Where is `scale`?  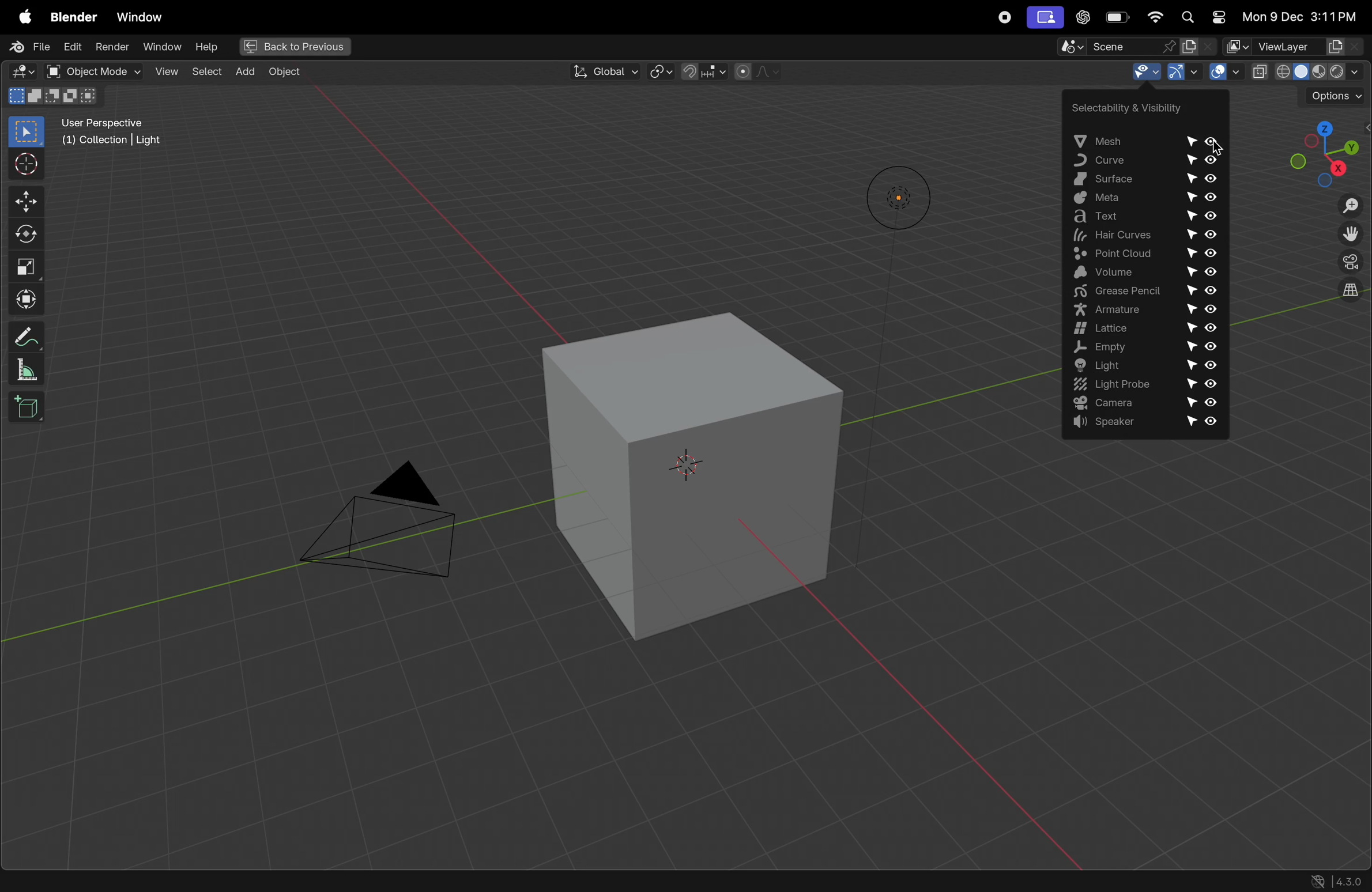
scale is located at coordinates (27, 265).